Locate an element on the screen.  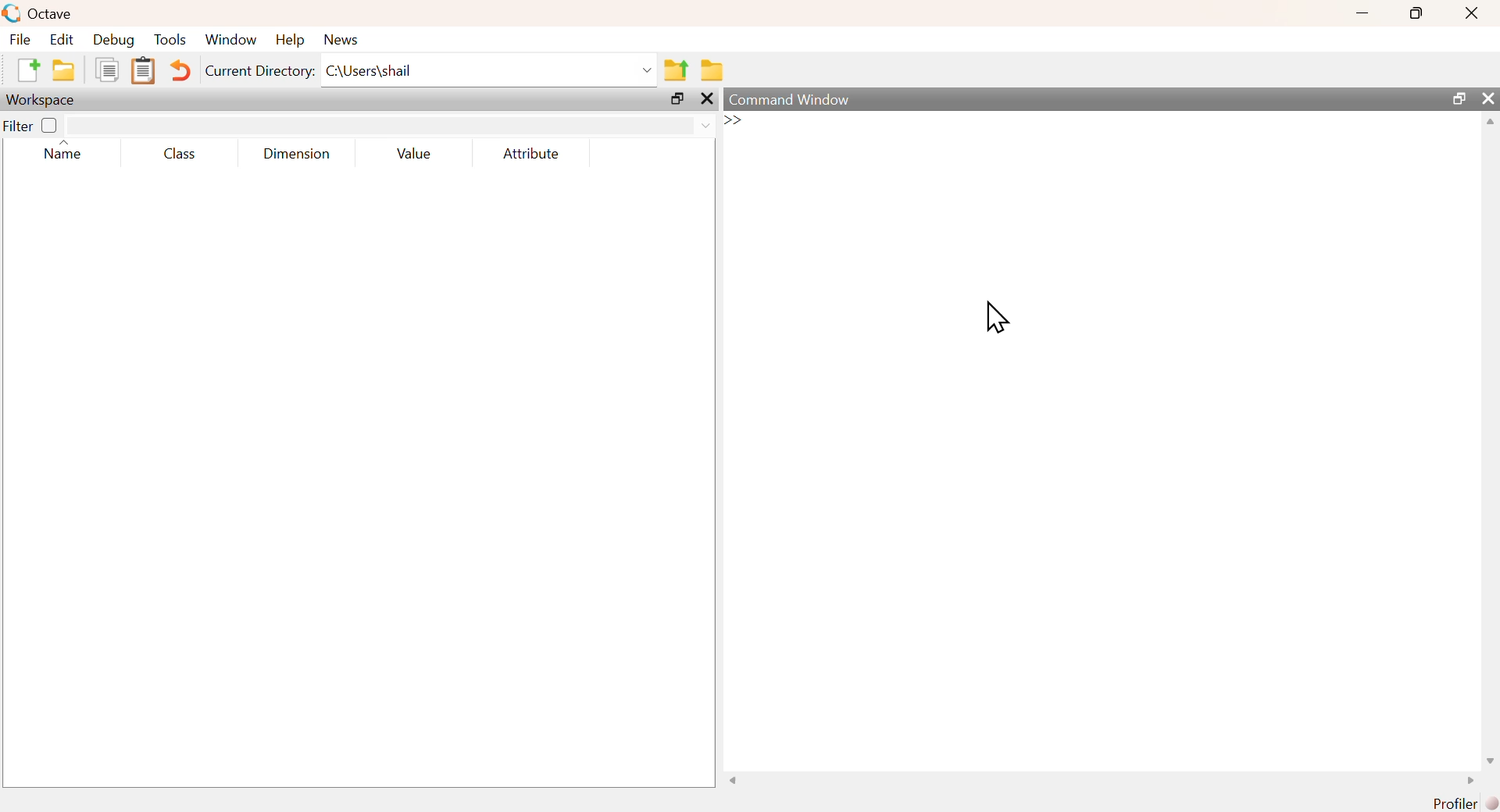
Clipboard is located at coordinates (143, 71).